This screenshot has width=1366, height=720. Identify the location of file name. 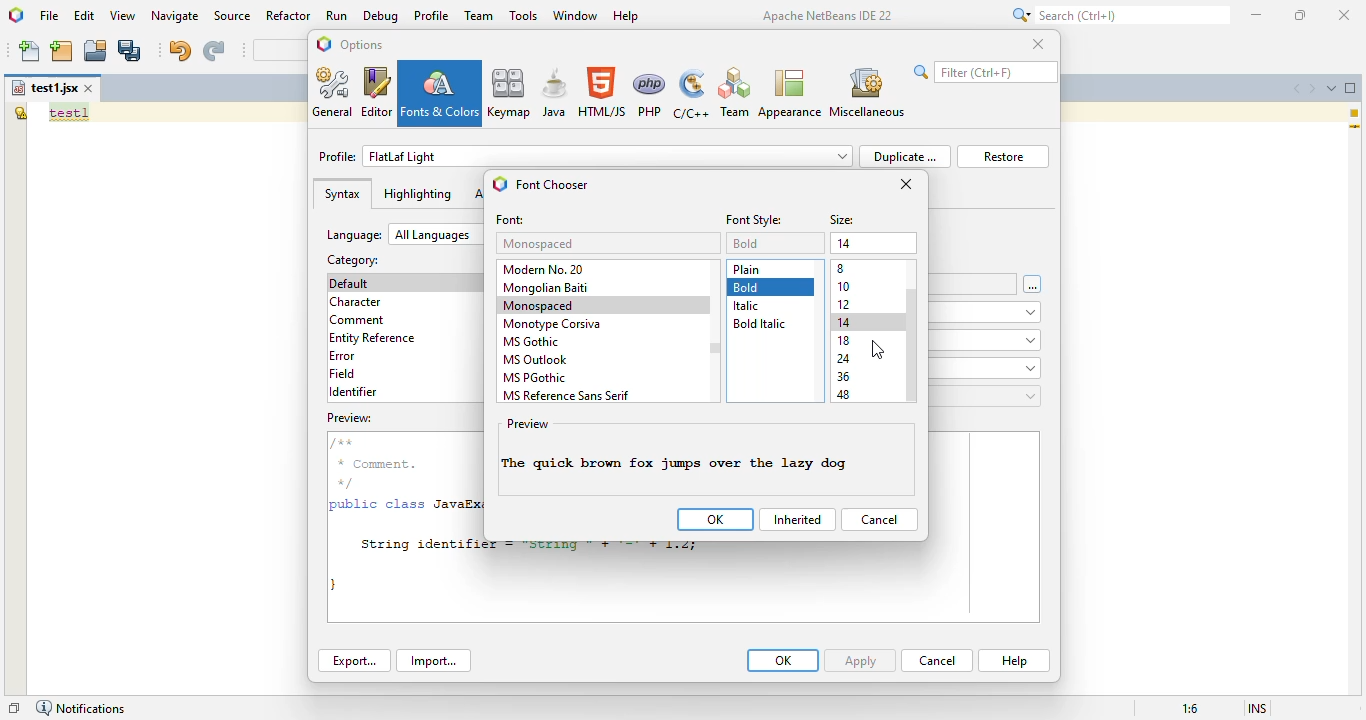
(44, 88).